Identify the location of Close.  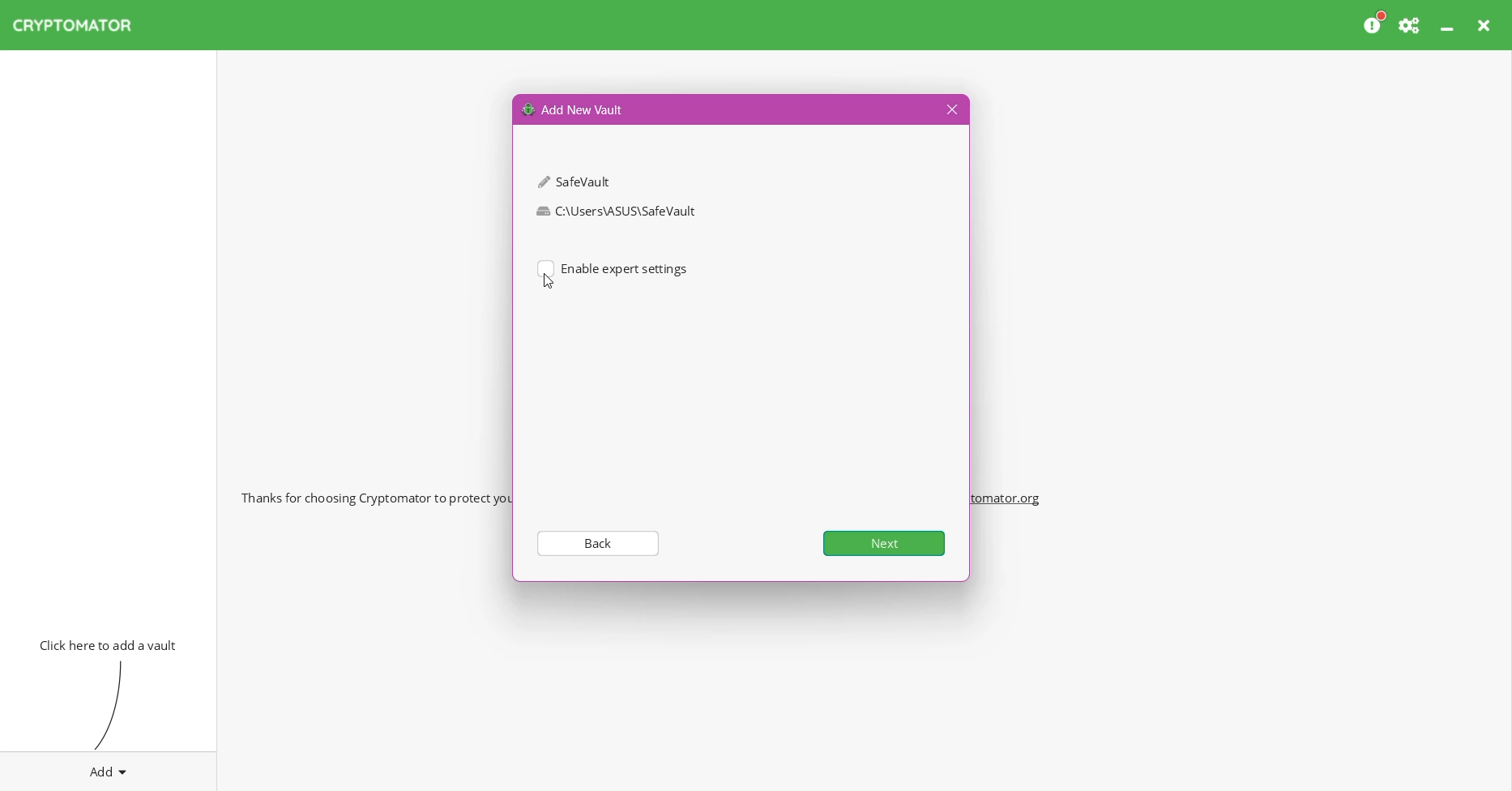
(950, 110).